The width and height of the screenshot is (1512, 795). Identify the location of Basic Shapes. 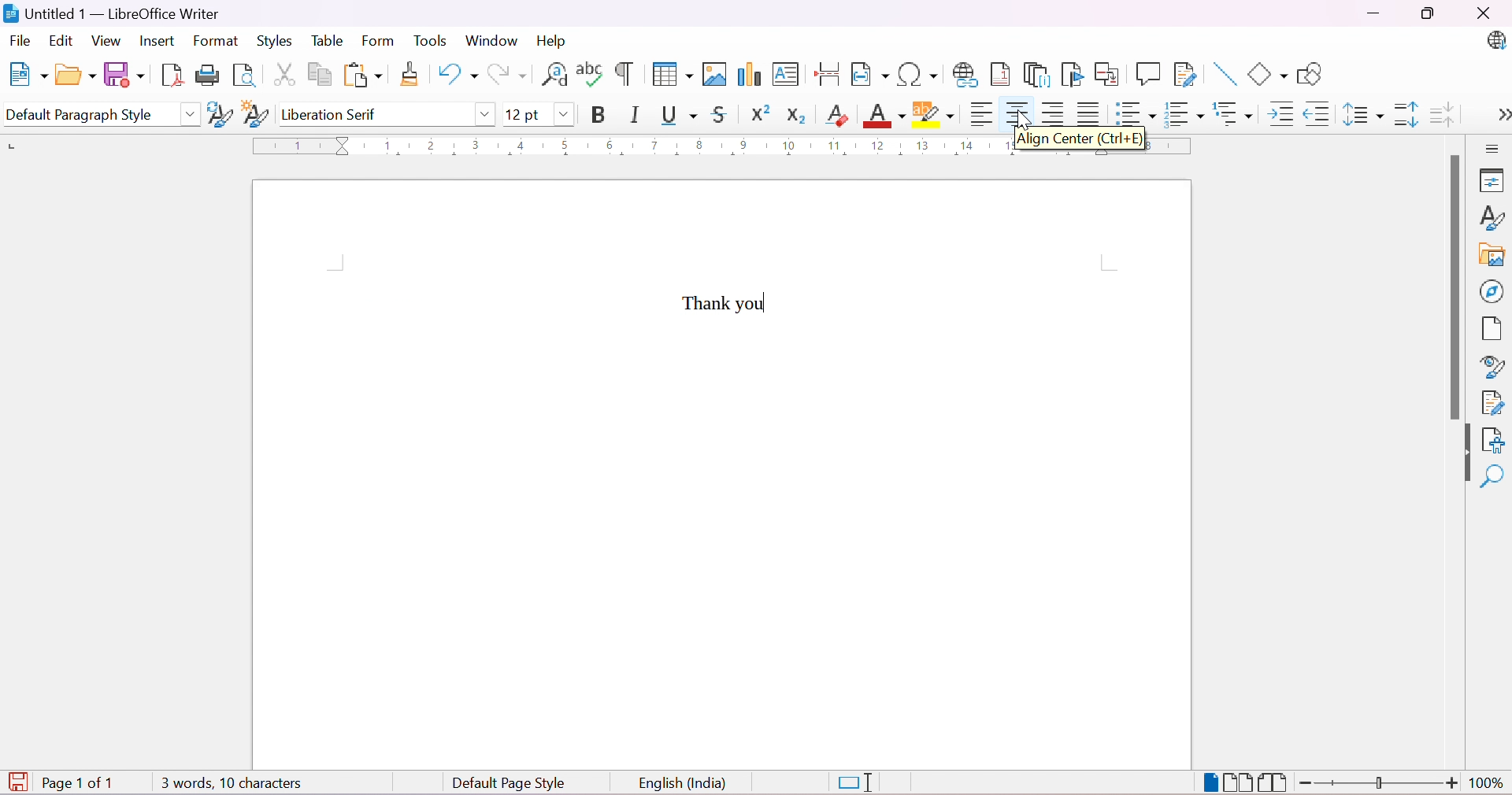
(1268, 76).